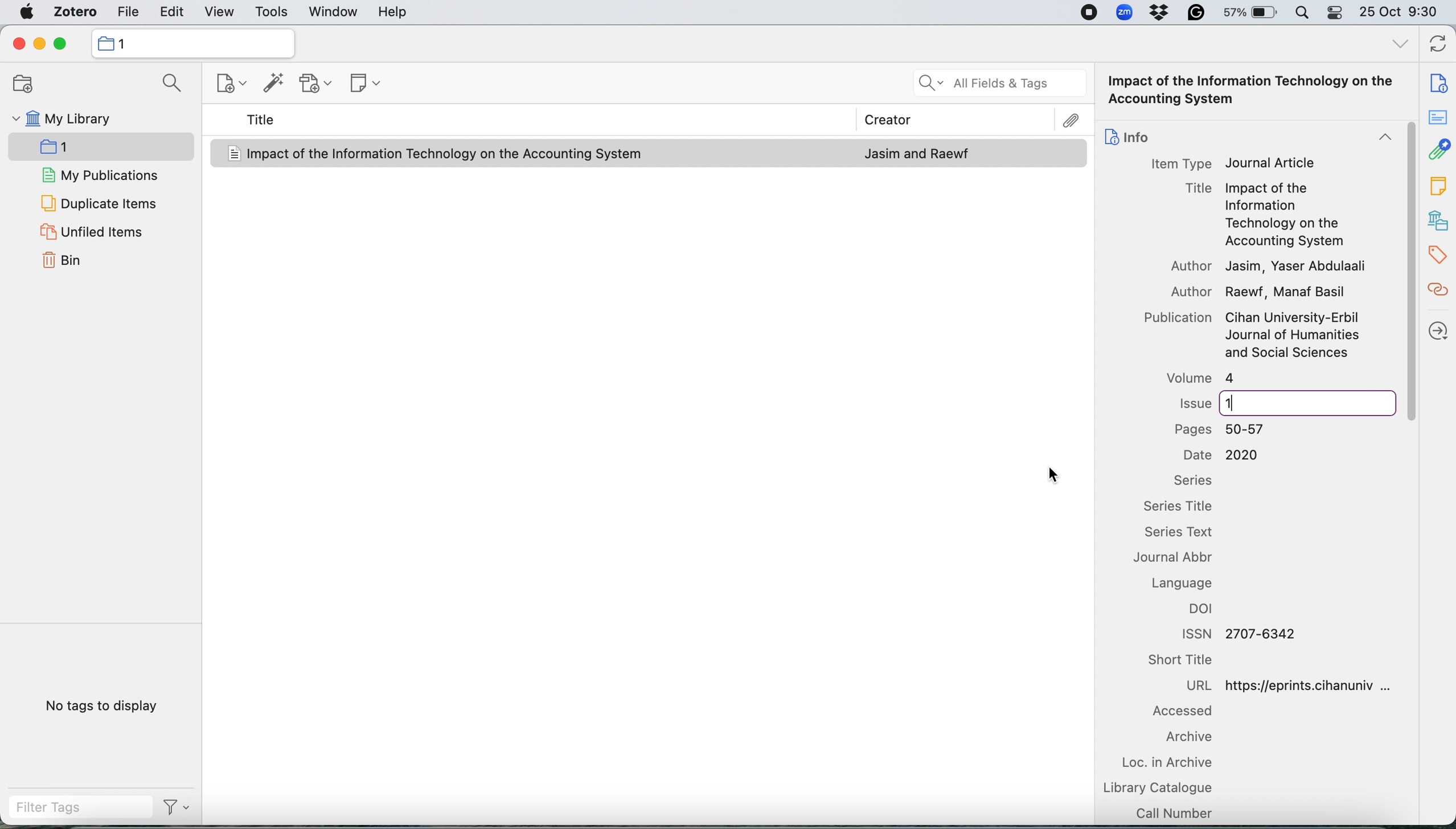 The height and width of the screenshot is (829, 1456). I want to click on searcg, so click(170, 84).